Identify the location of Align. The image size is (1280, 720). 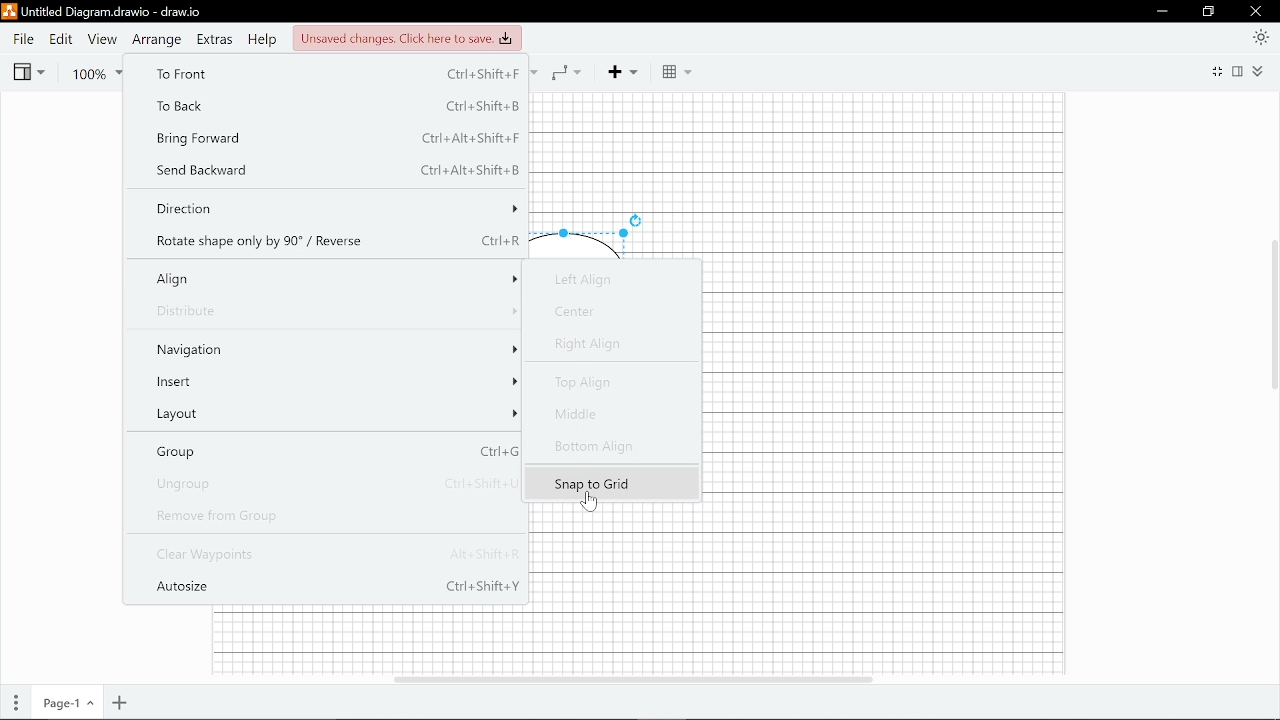
(334, 283).